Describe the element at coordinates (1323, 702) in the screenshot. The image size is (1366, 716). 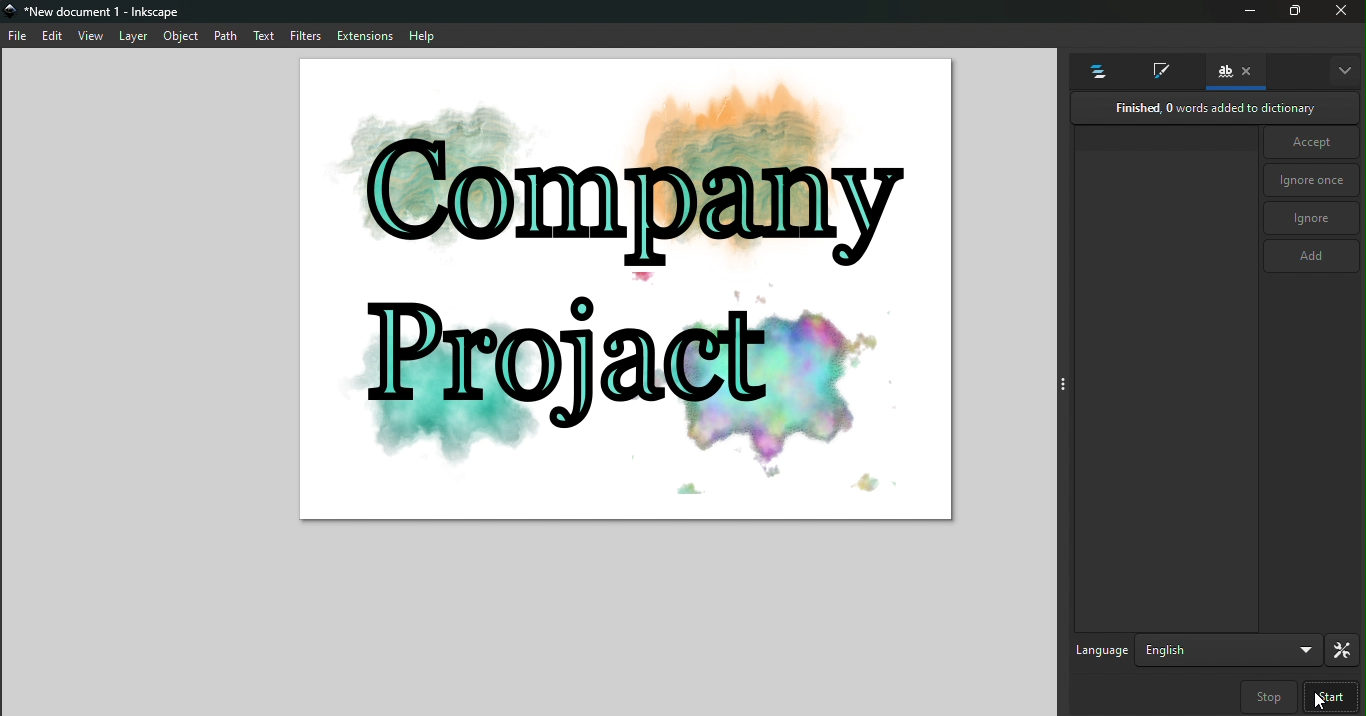
I see `cursor` at that location.